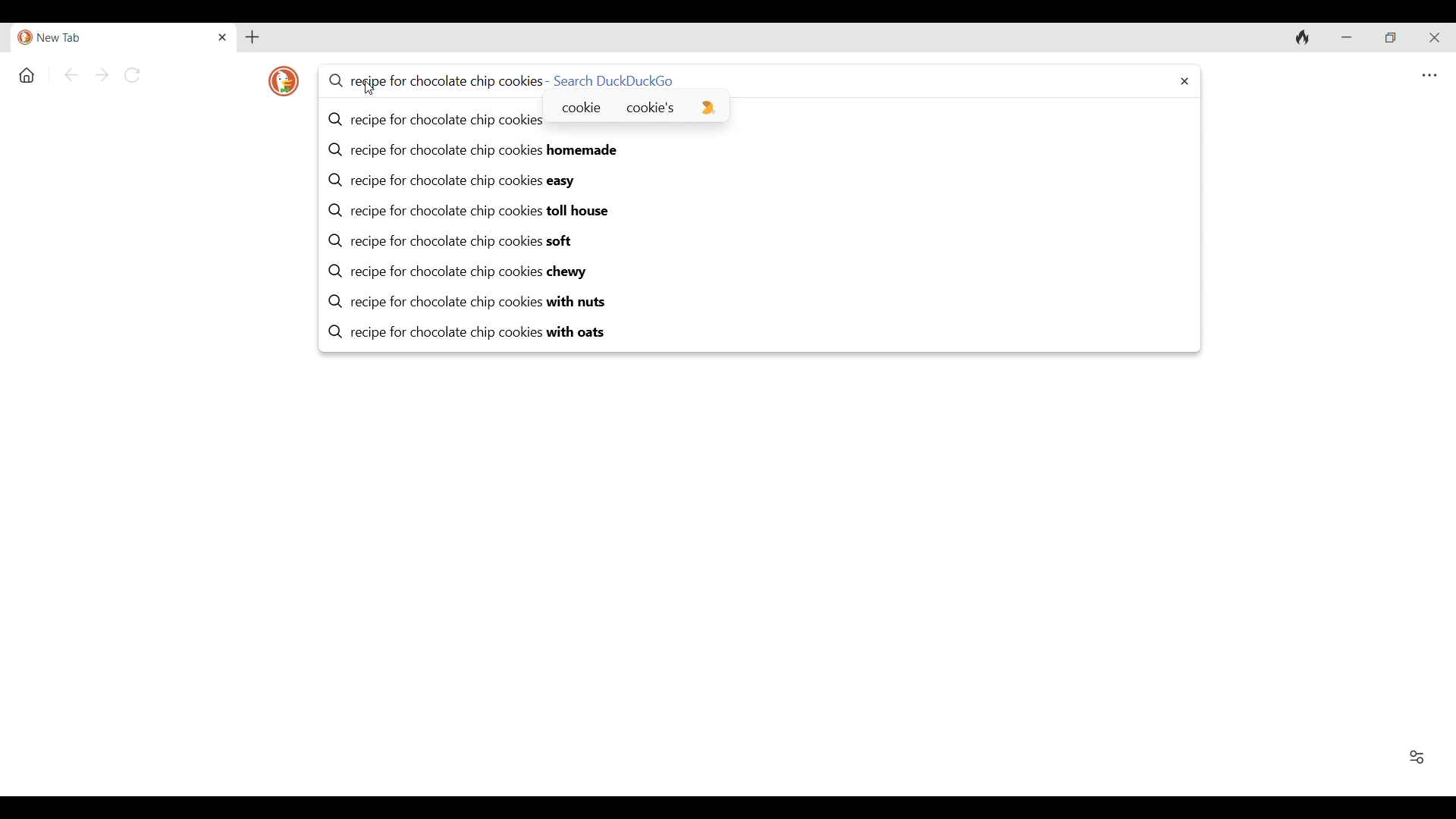 The width and height of the screenshot is (1456, 819). Describe the element at coordinates (1346, 37) in the screenshot. I see `Minimize` at that location.